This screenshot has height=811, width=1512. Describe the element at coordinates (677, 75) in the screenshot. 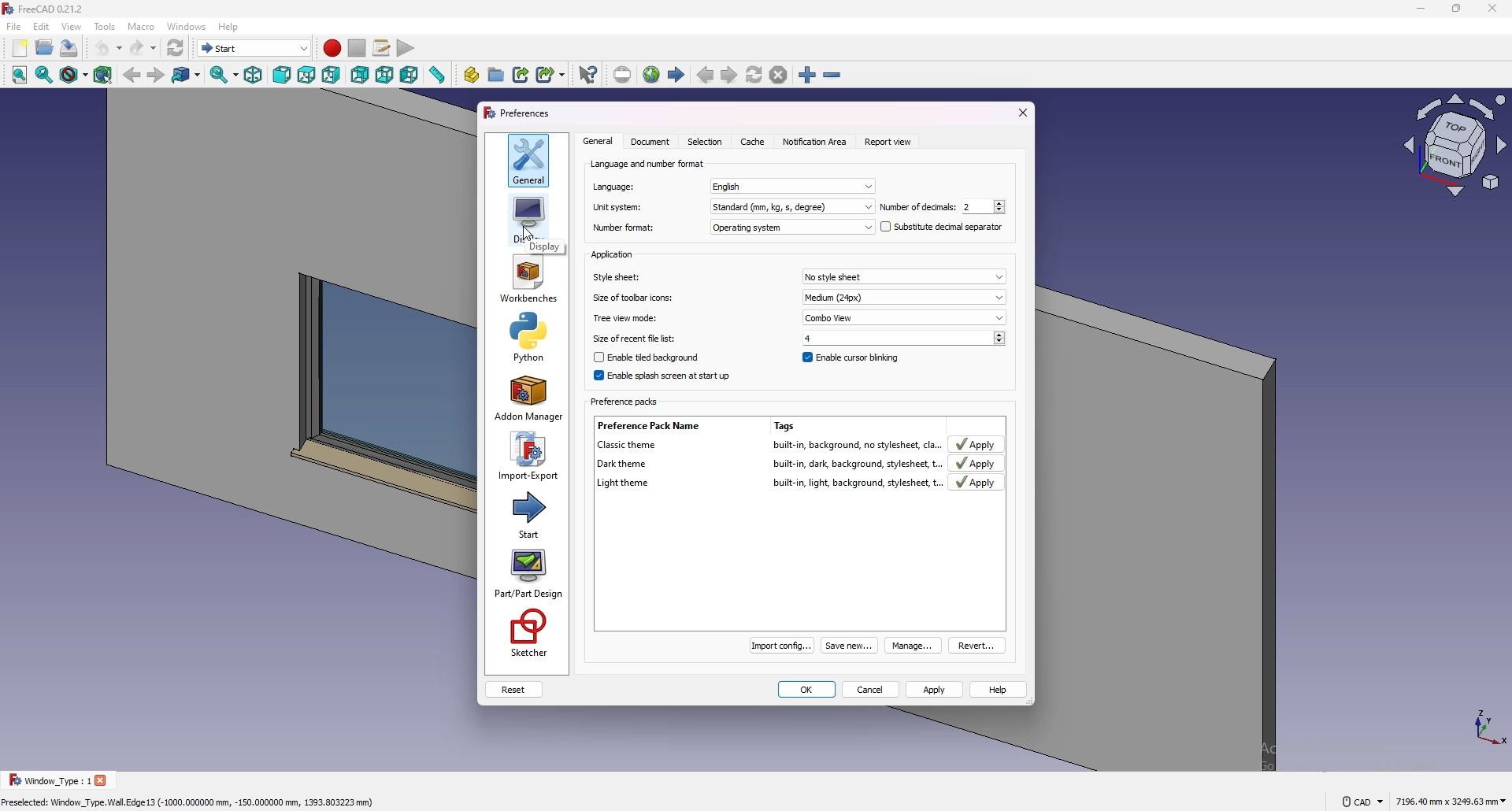

I see `start page` at that location.